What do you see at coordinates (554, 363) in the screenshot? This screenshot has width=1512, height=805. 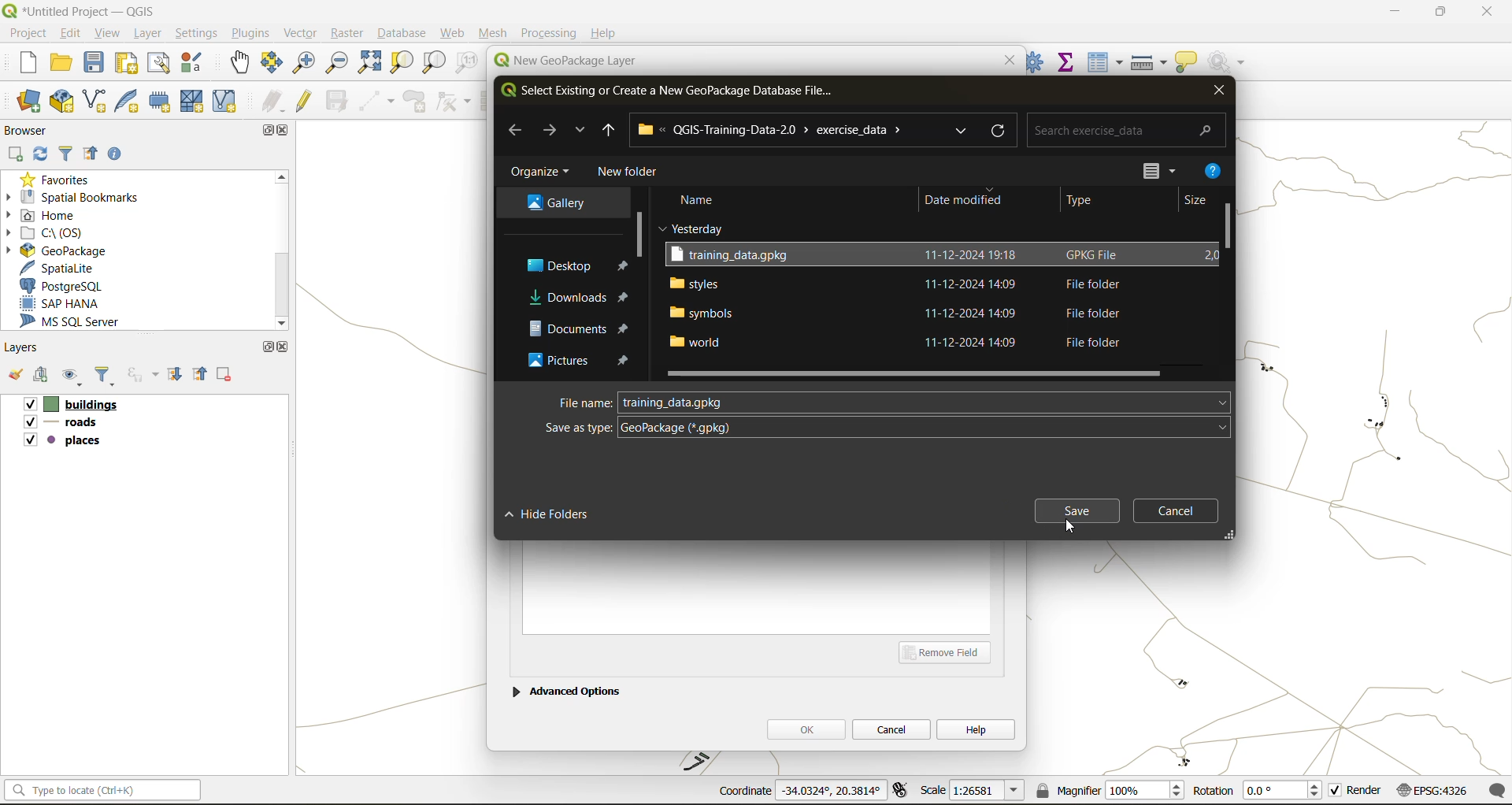 I see `Pictures` at bounding box center [554, 363].